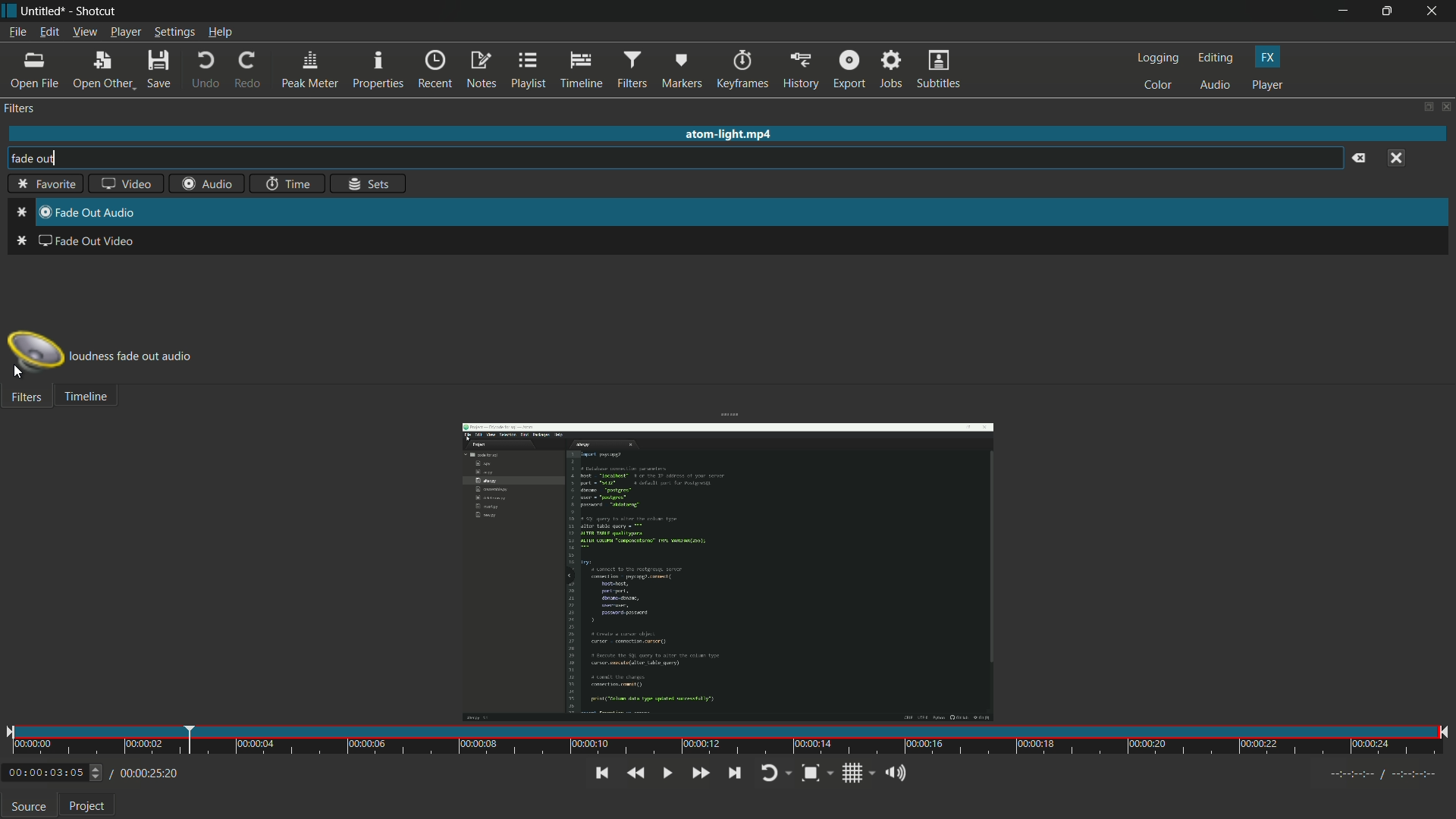 This screenshot has height=819, width=1456. What do you see at coordinates (20, 373) in the screenshot?
I see `cursor` at bounding box center [20, 373].